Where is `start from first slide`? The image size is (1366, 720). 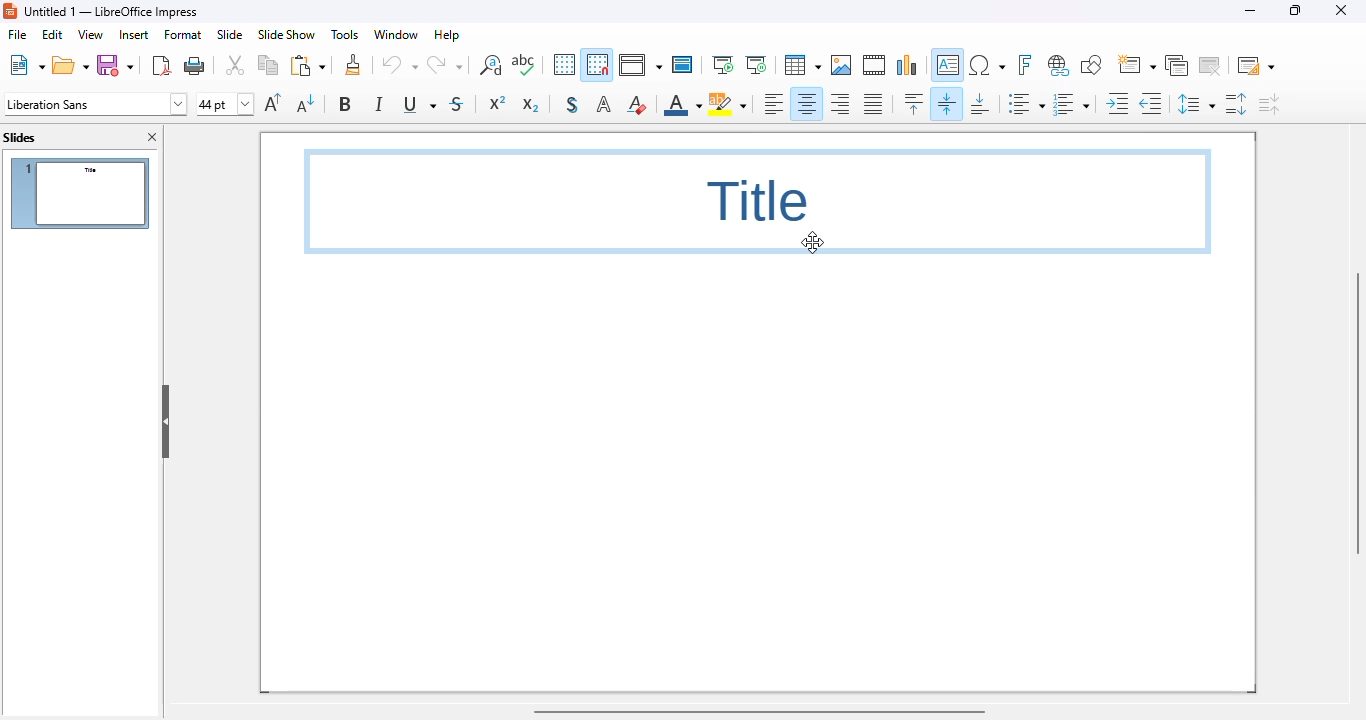
start from first slide is located at coordinates (723, 65).